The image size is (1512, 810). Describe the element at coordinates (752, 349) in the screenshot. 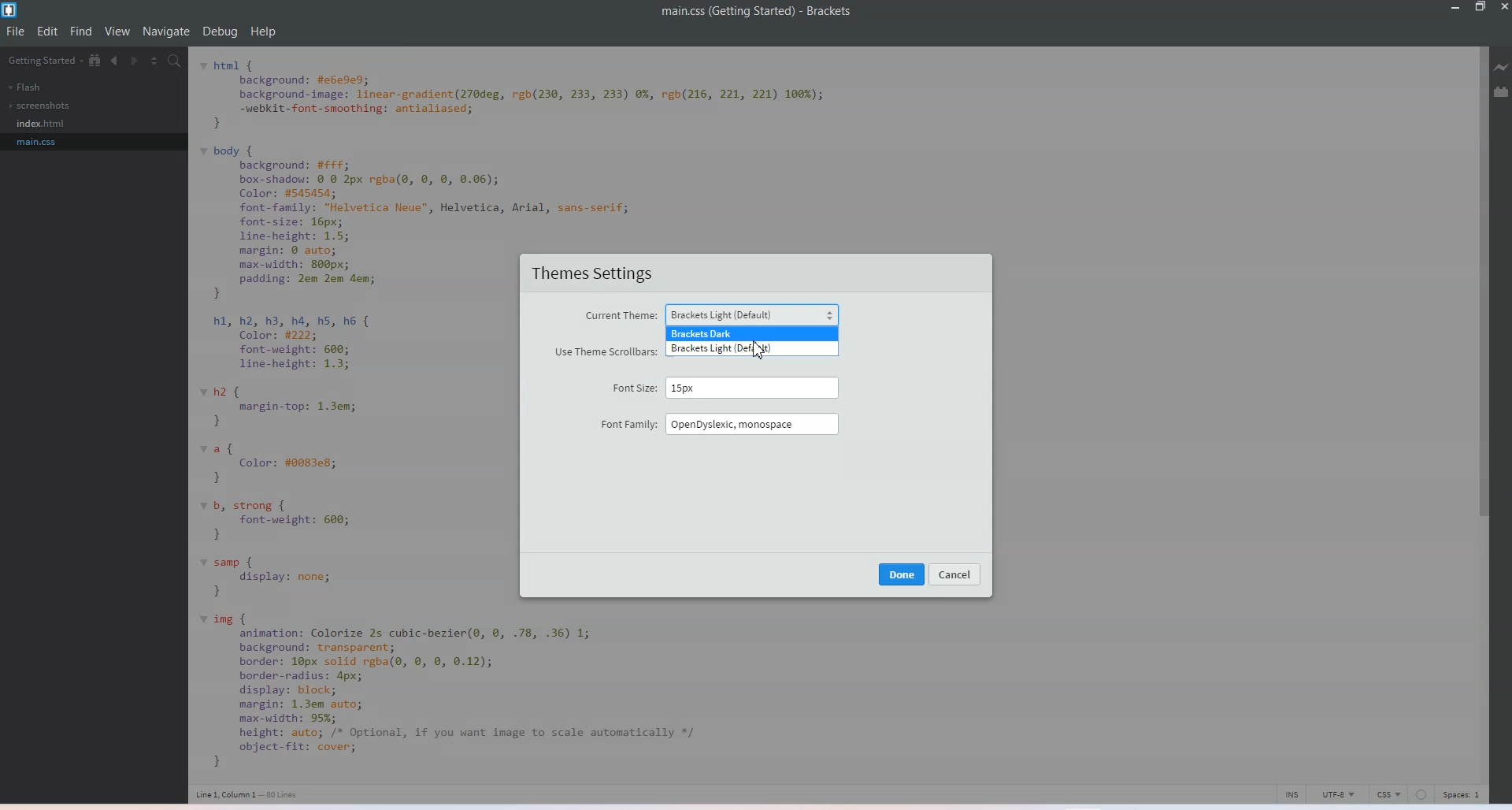

I see `Brackets light default` at that location.